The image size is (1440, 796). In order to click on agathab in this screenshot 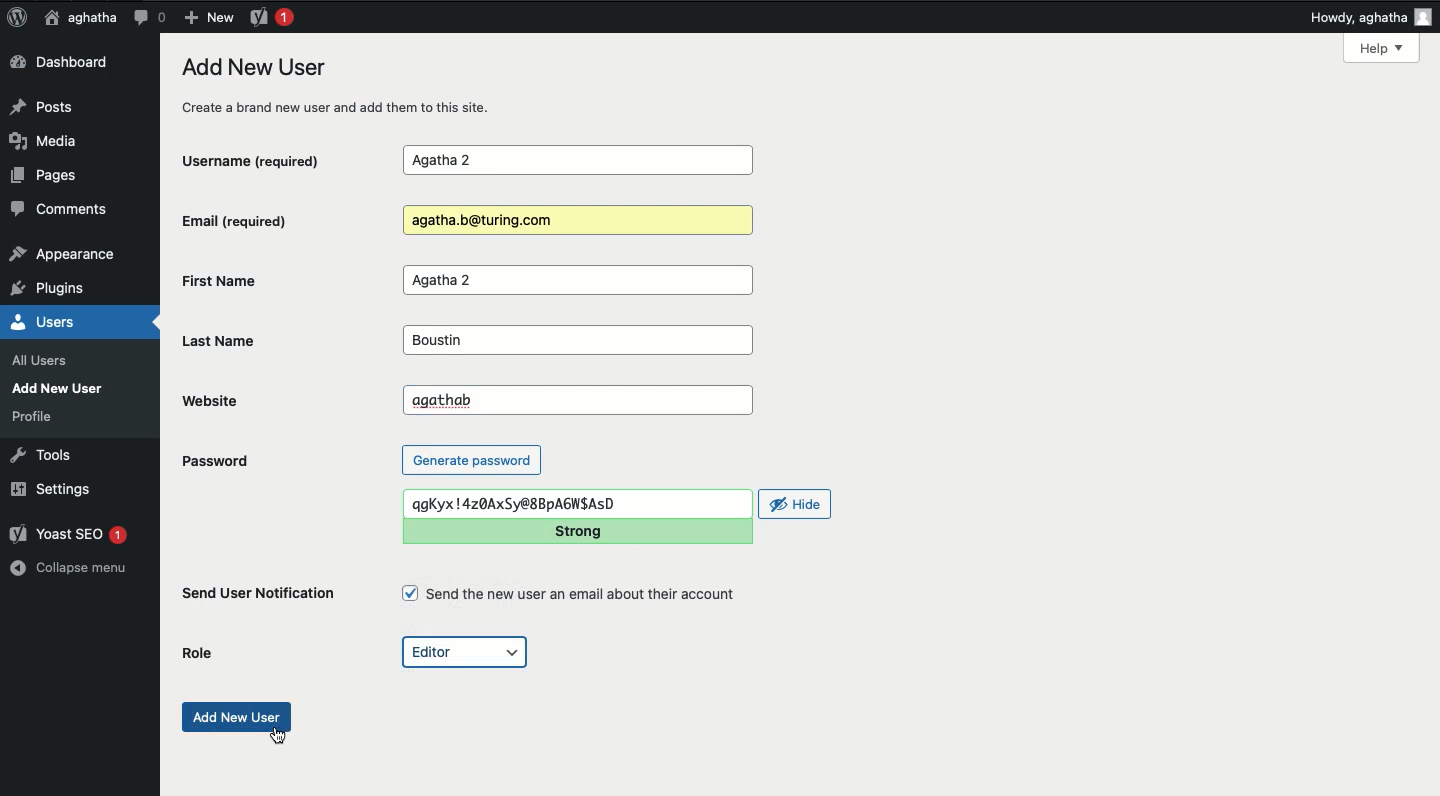, I will do `click(579, 397)`.